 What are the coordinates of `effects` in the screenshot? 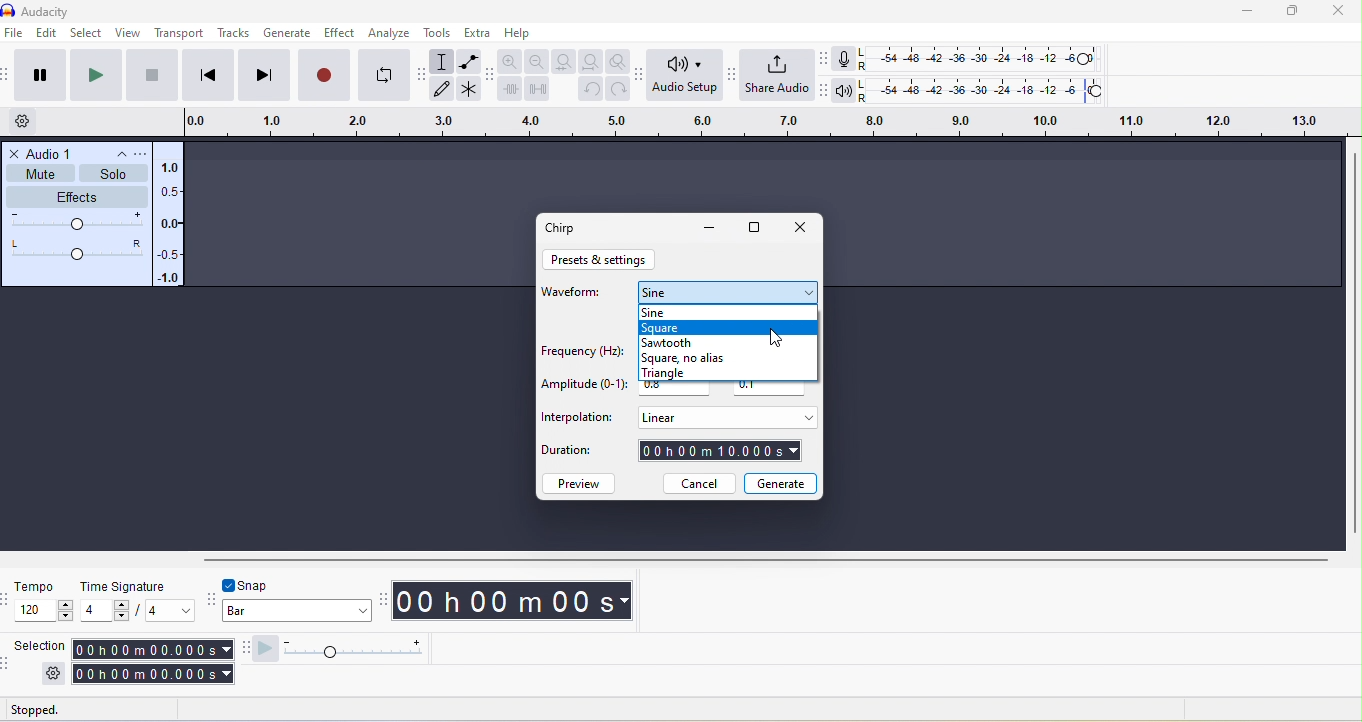 It's located at (79, 196).